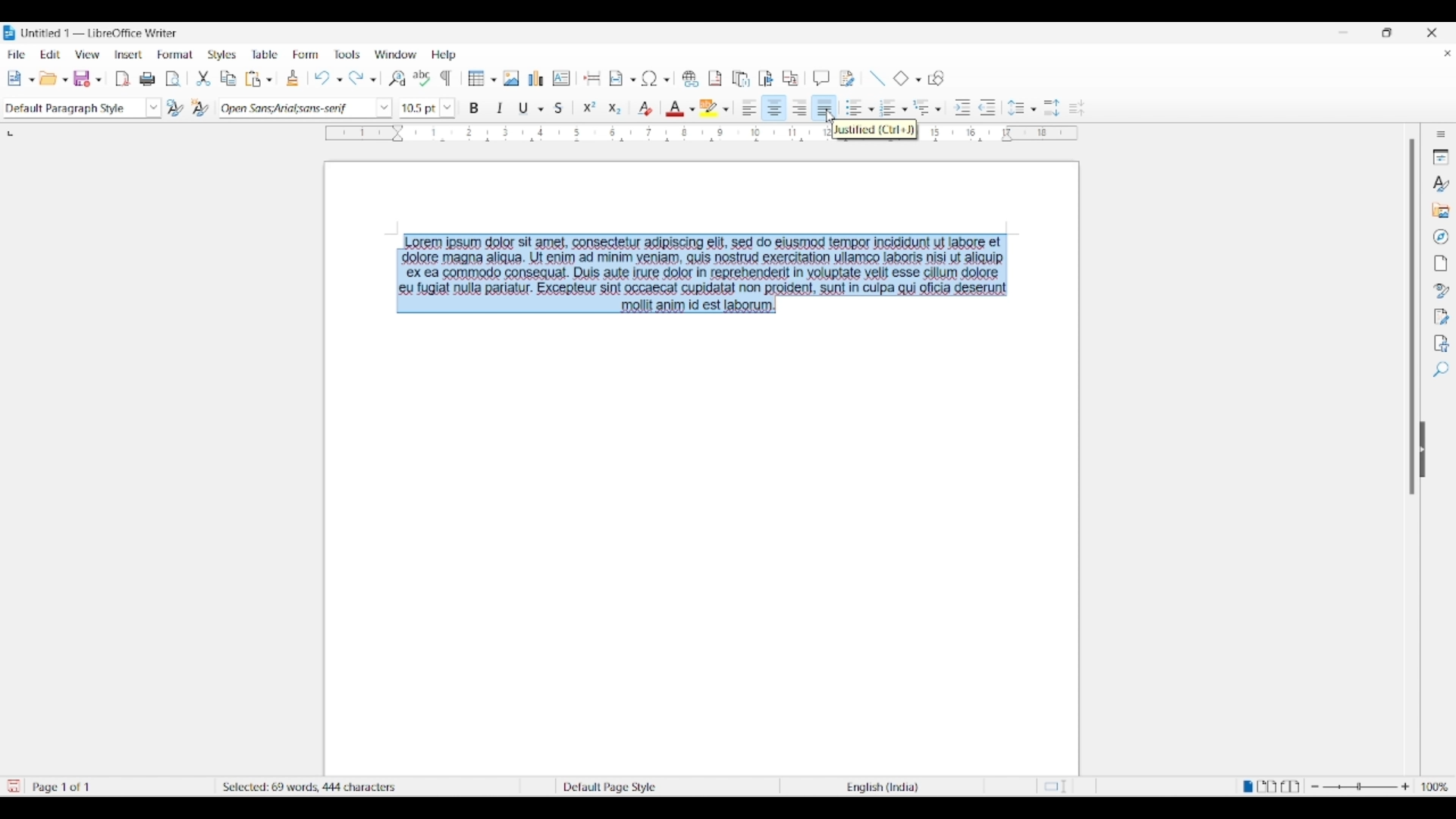 The height and width of the screenshot is (819, 1456). What do you see at coordinates (384, 108) in the screenshot?
I see `Font name options` at bounding box center [384, 108].